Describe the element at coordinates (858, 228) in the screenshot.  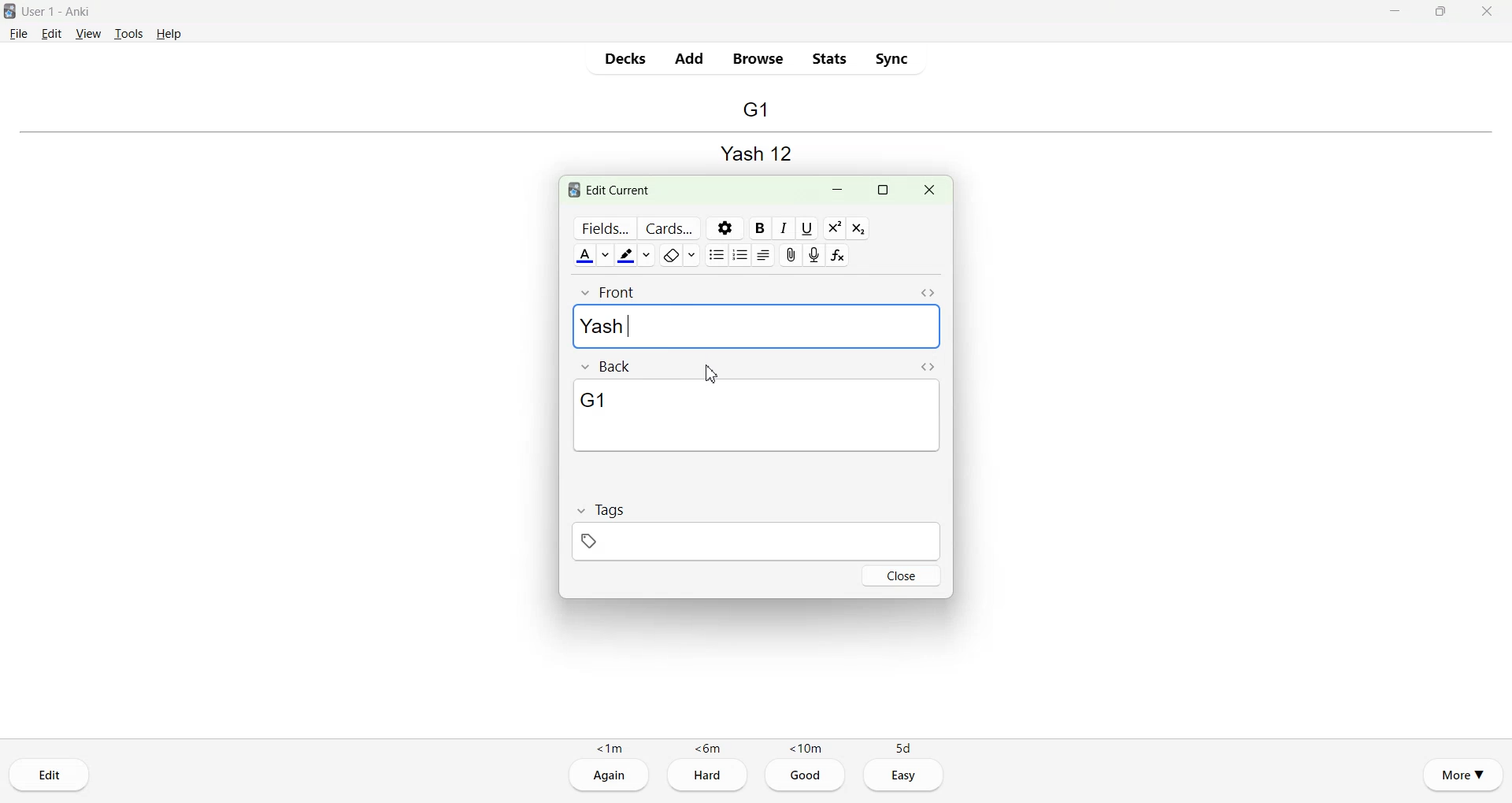
I see `Subscript` at that location.